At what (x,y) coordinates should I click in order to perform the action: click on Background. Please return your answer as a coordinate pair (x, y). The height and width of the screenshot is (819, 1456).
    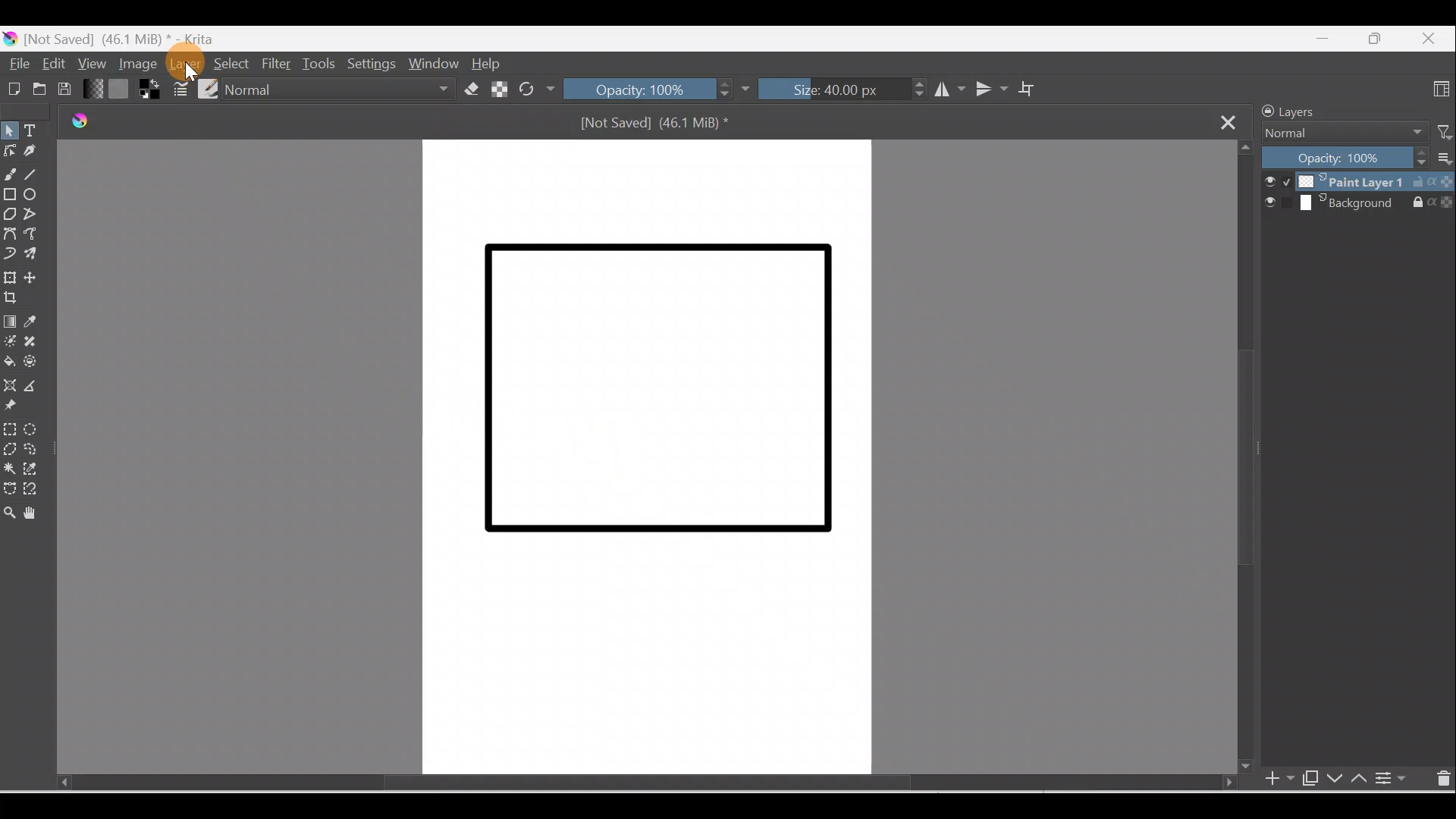
    Looking at the image, I should click on (1359, 204).